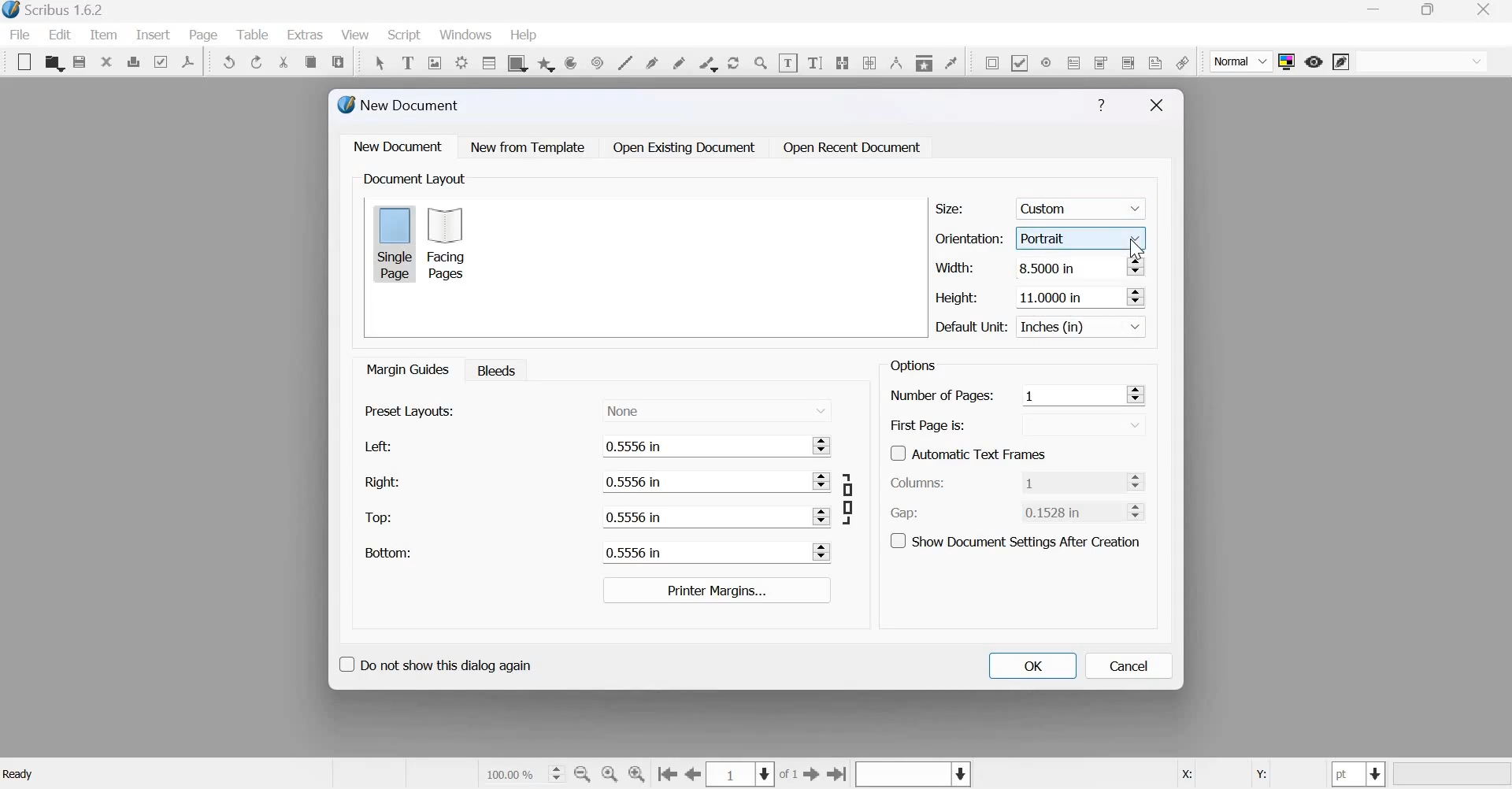 The width and height of the screenshot is (1512, 789). I want to click on Increase and Decrease, so click(1136, 394).